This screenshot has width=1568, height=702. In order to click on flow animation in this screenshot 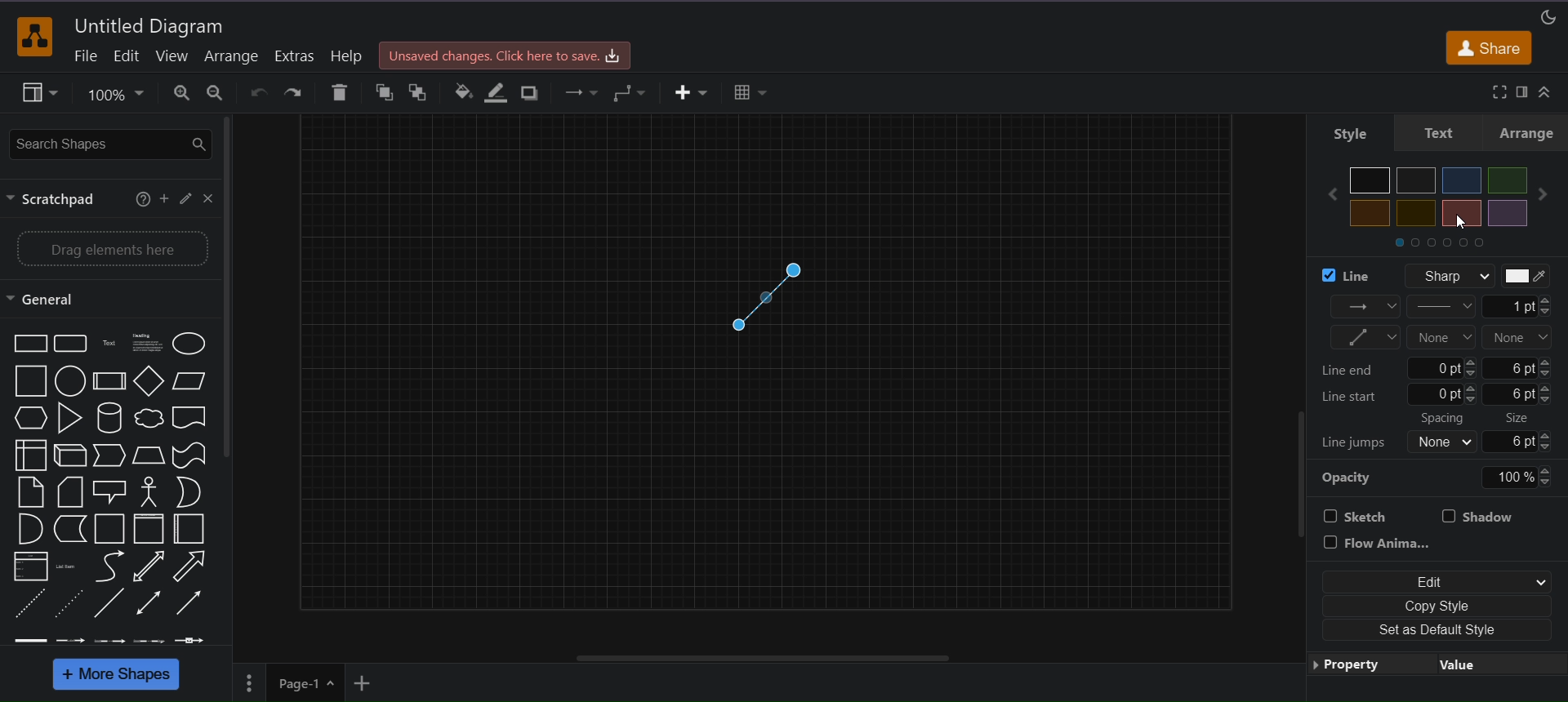, I will do `click(1379, 542)`.